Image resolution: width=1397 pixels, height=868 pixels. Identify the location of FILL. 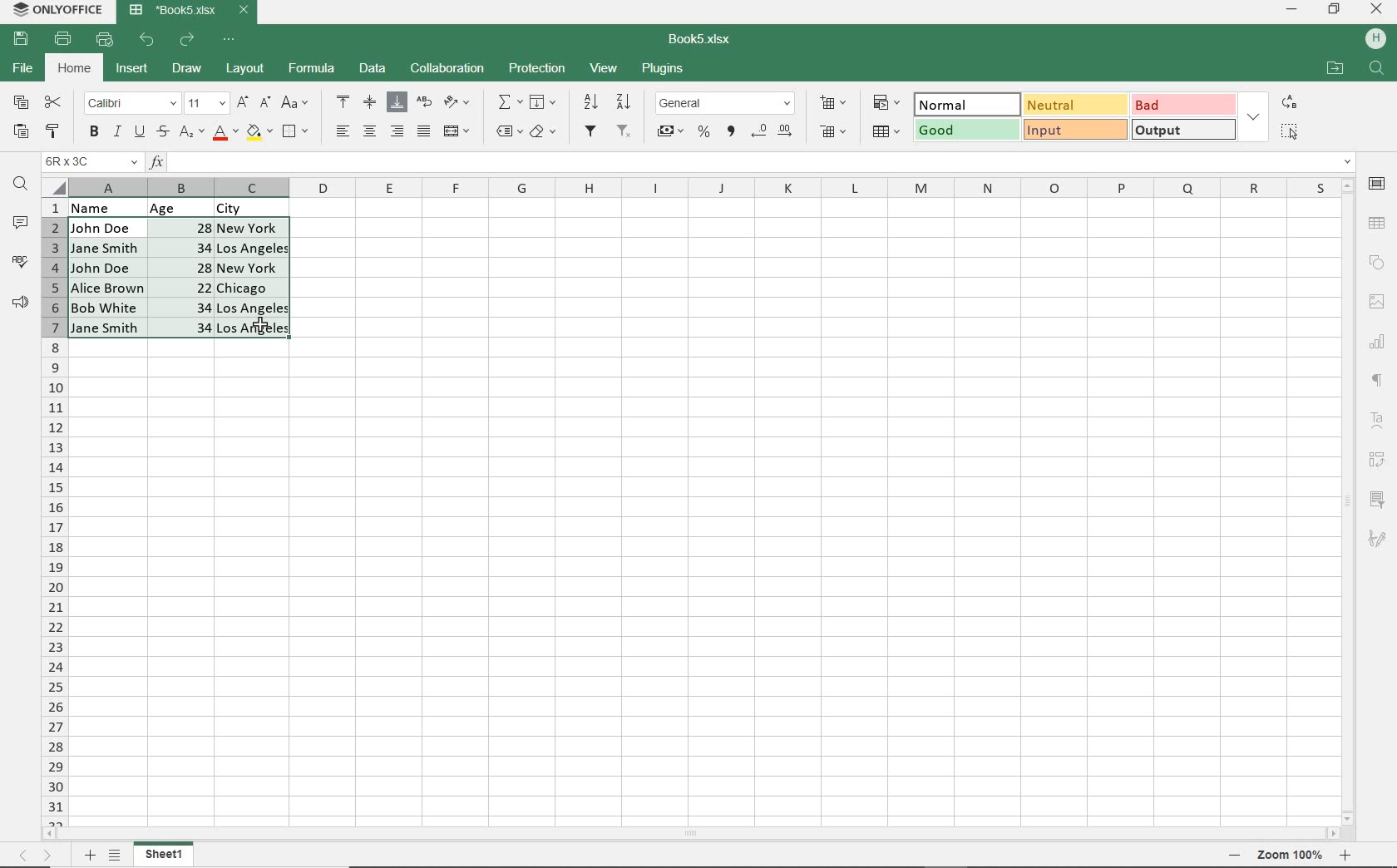
(547, 103).